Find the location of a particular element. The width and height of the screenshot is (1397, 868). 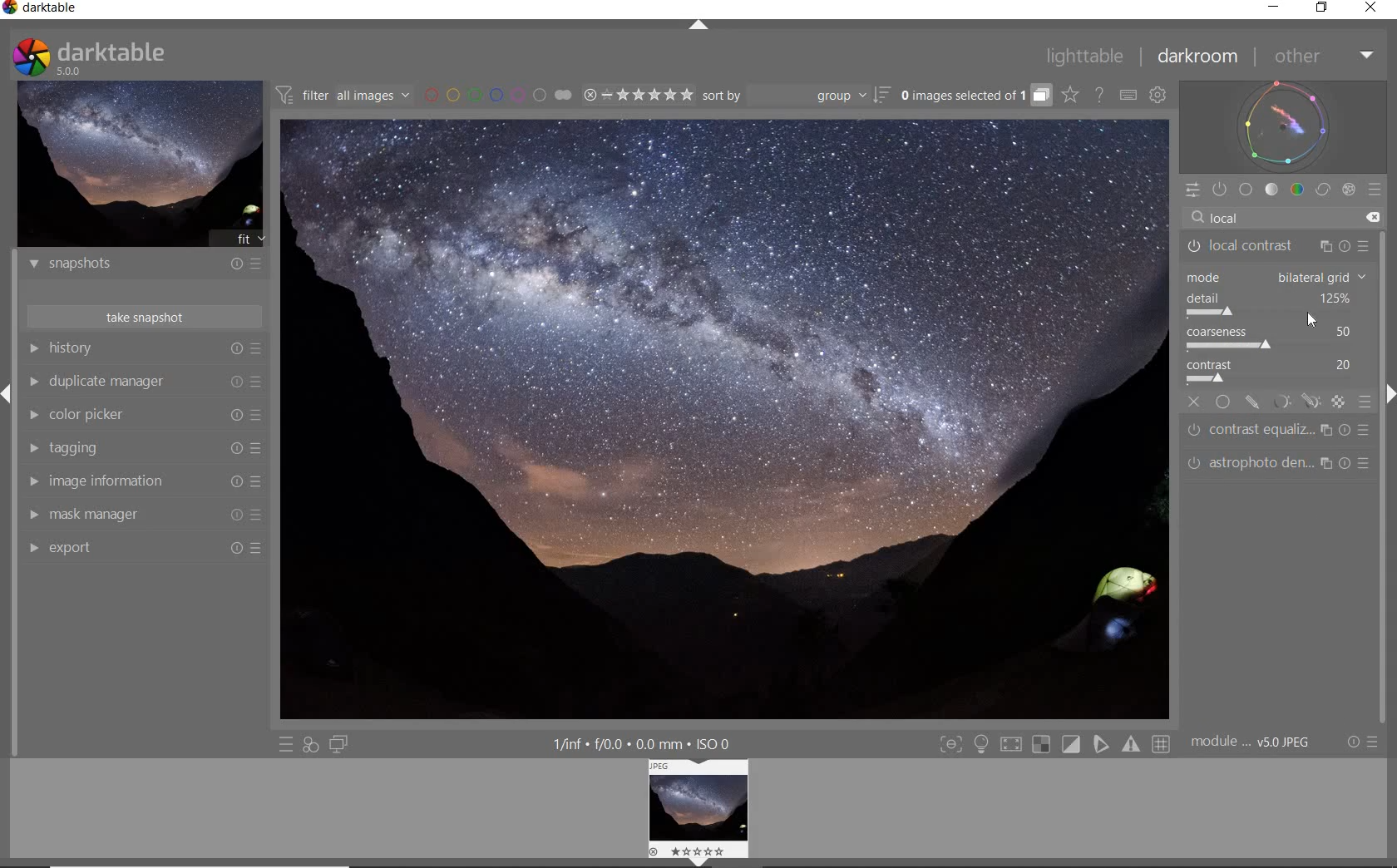

HELP ONLINE is located at coordinates (1098, 95).